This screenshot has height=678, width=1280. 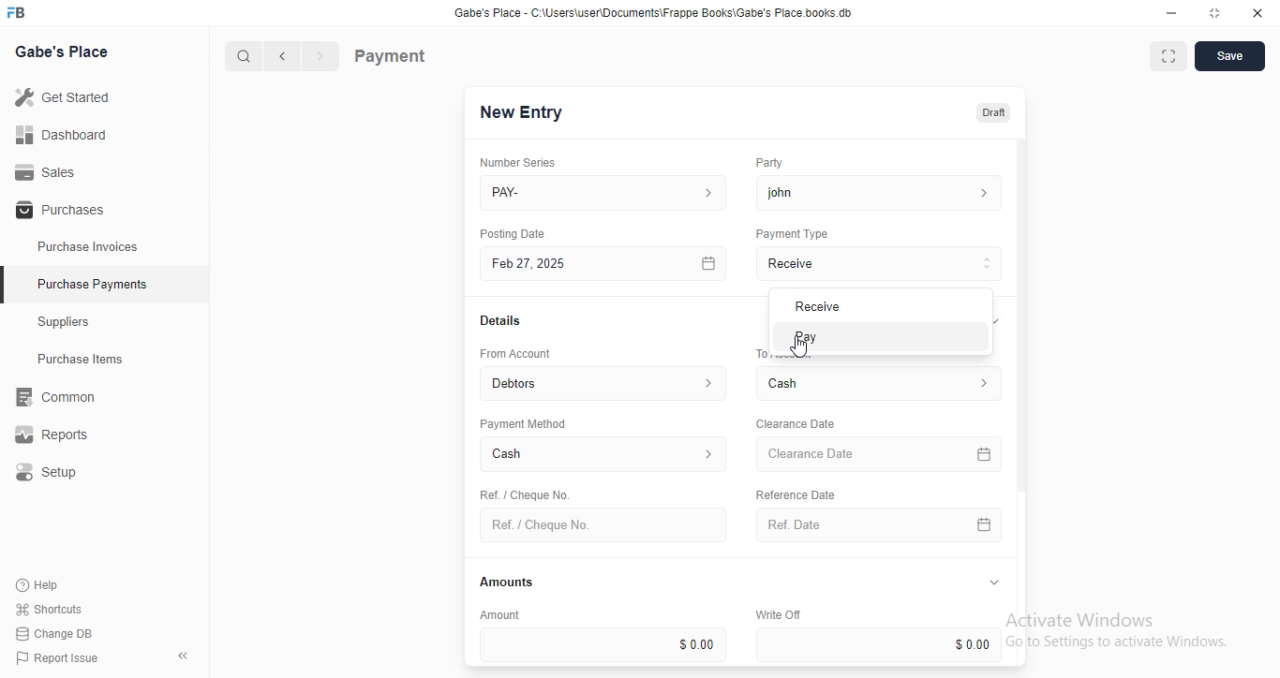 I want to click on Rit
Common, so click(x=55, y=398).